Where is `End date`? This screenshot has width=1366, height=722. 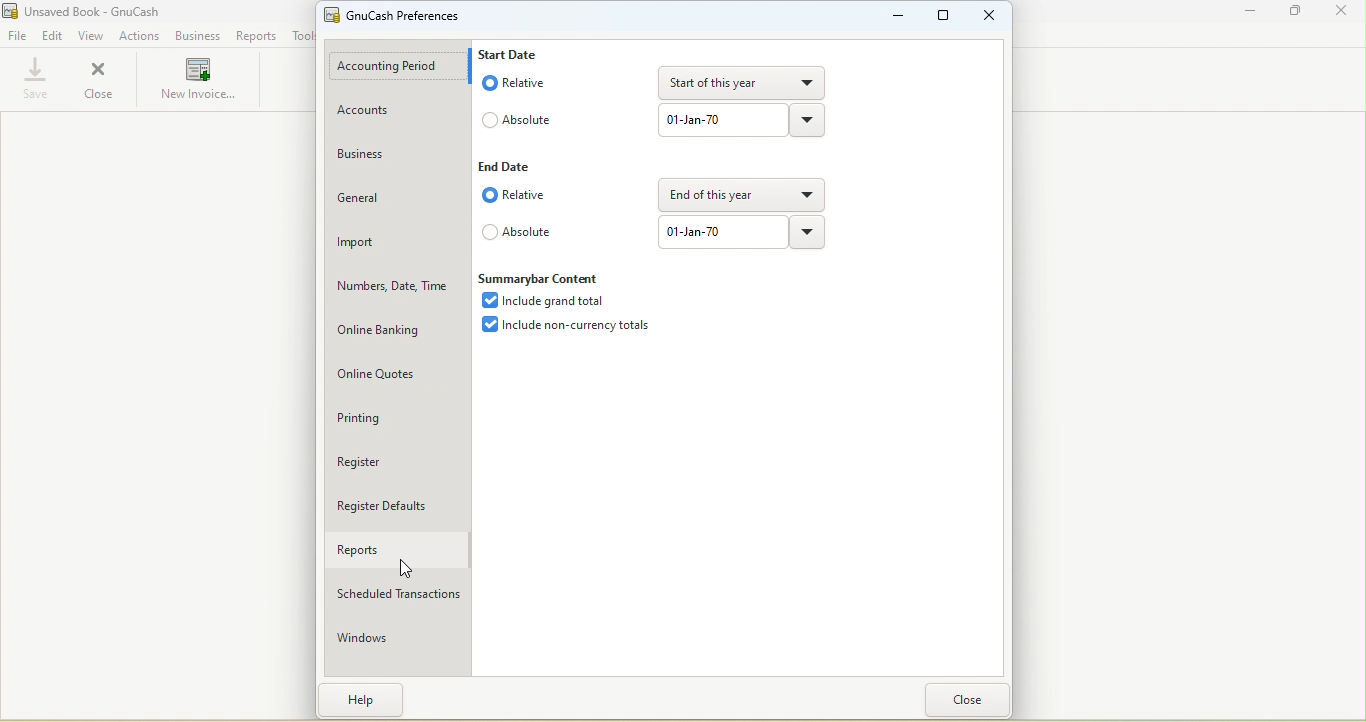
End date is located at coordinates (520, 162).